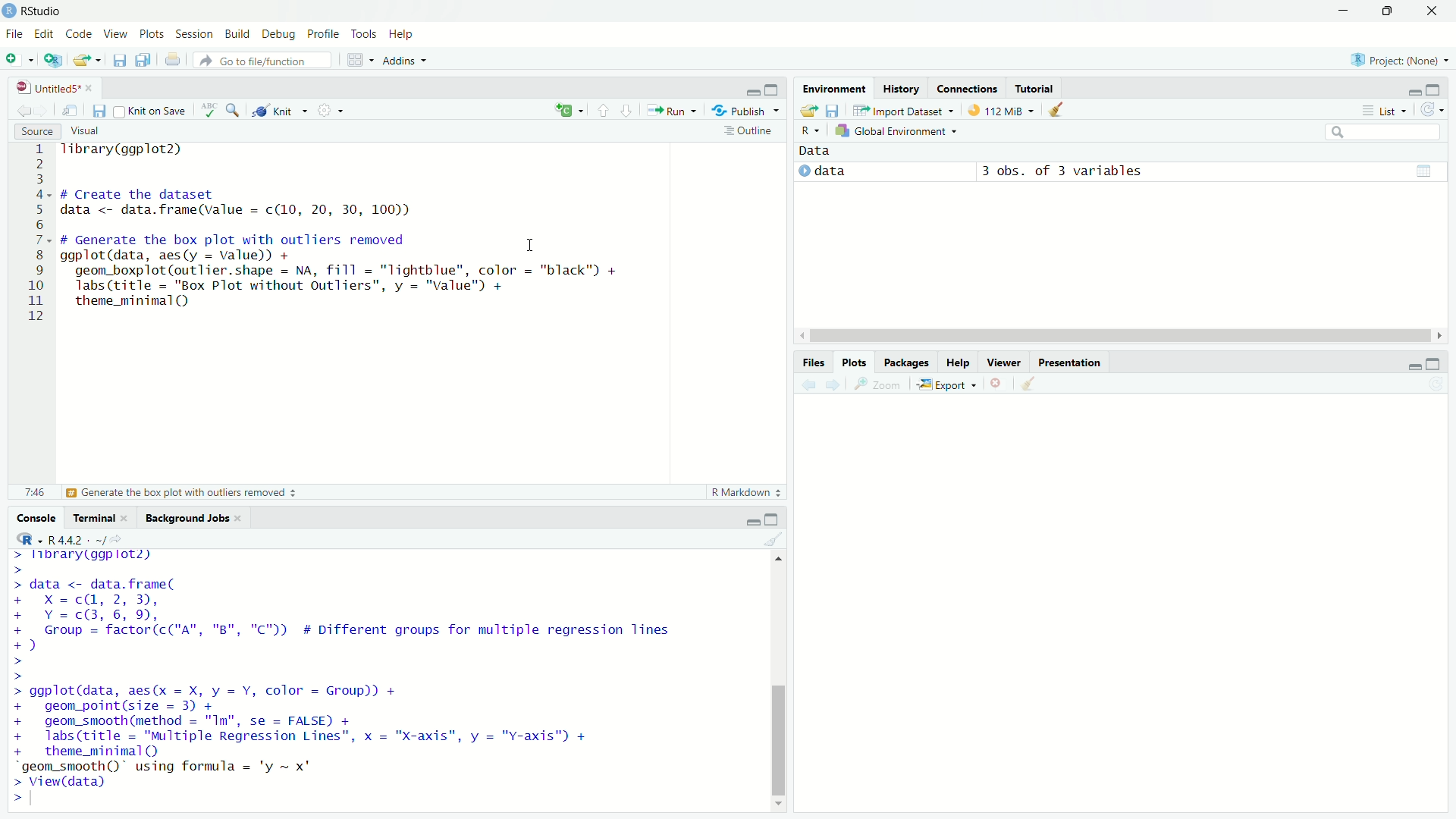 The width and height of the screenshot is (1456, 819). I want to click on refresh, so click(1430, 108).